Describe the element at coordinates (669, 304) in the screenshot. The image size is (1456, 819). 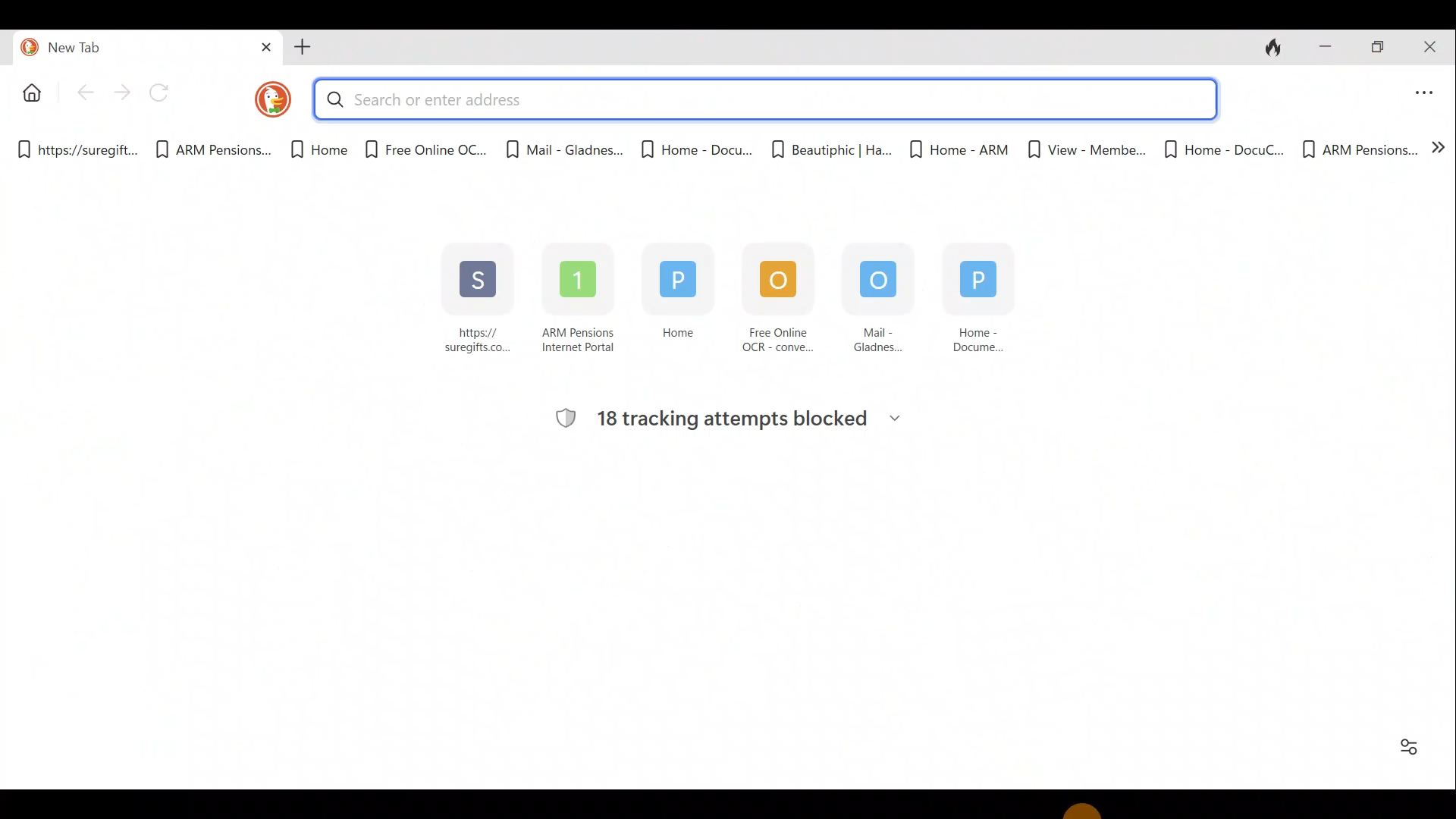
I see `Home` at that location.